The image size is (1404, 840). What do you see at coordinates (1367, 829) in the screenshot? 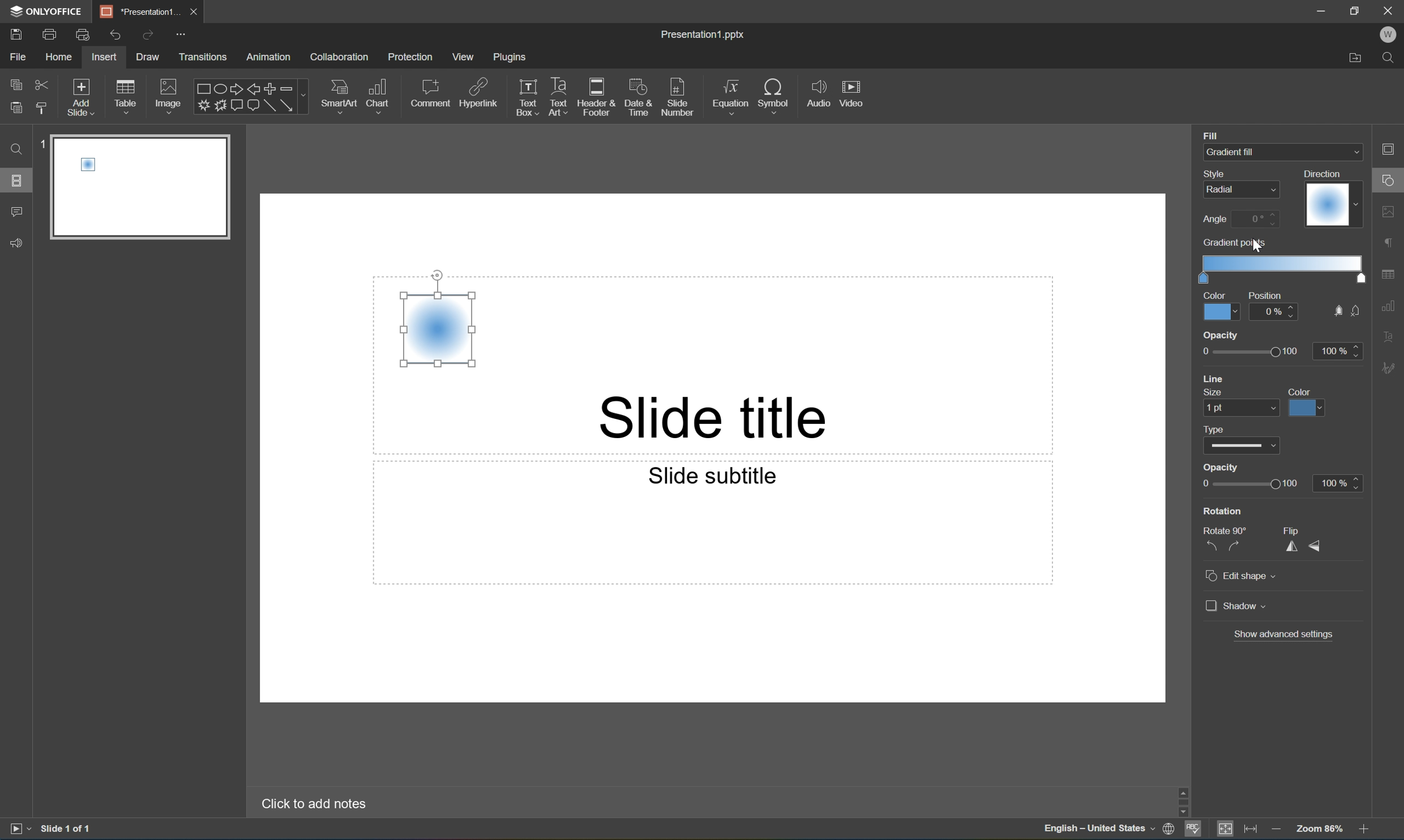
I see `Zoom in` at bounding box center [1367, 829].